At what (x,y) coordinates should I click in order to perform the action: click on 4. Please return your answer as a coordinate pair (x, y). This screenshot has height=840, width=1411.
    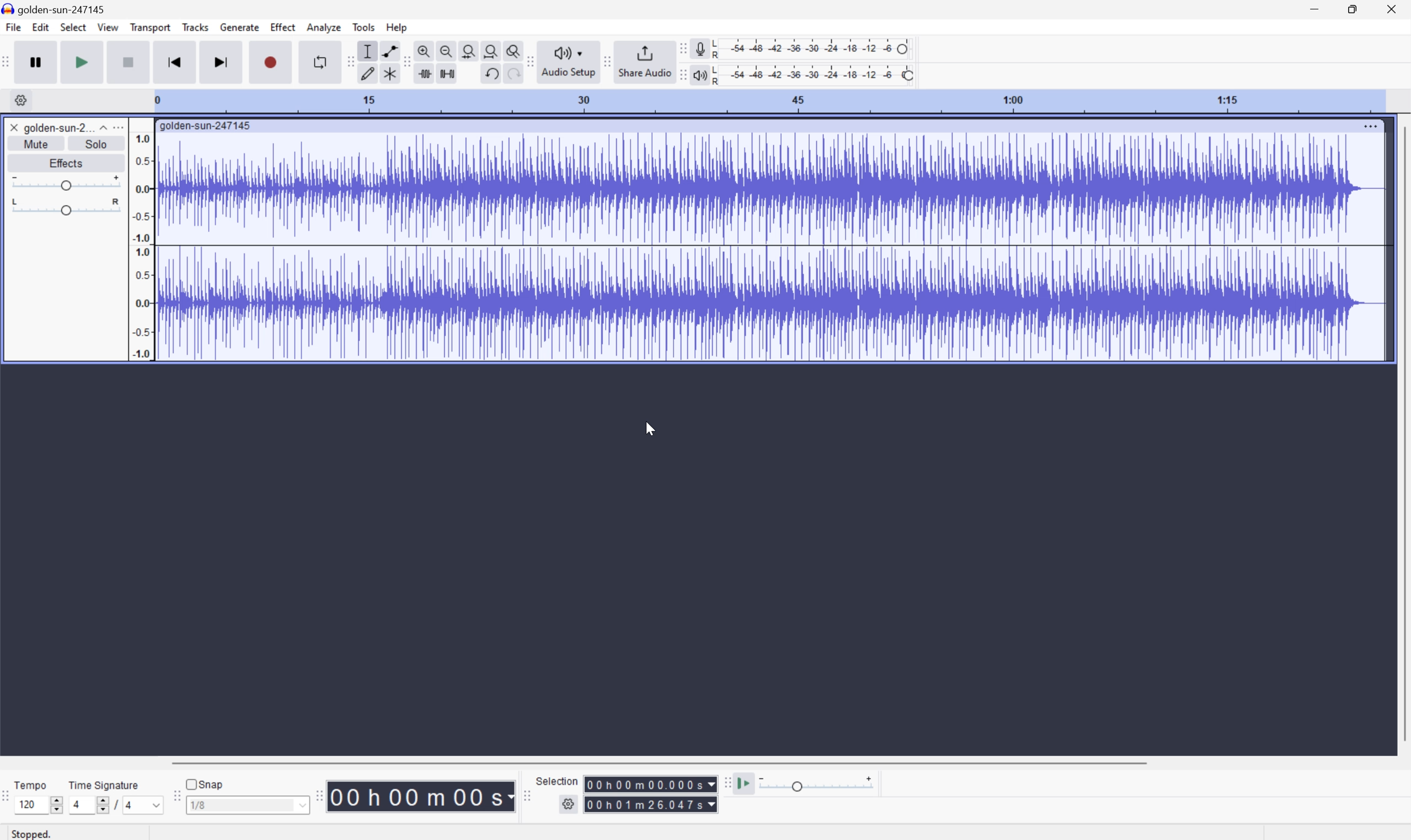
    Looking at the image, I should click on (145, 805).